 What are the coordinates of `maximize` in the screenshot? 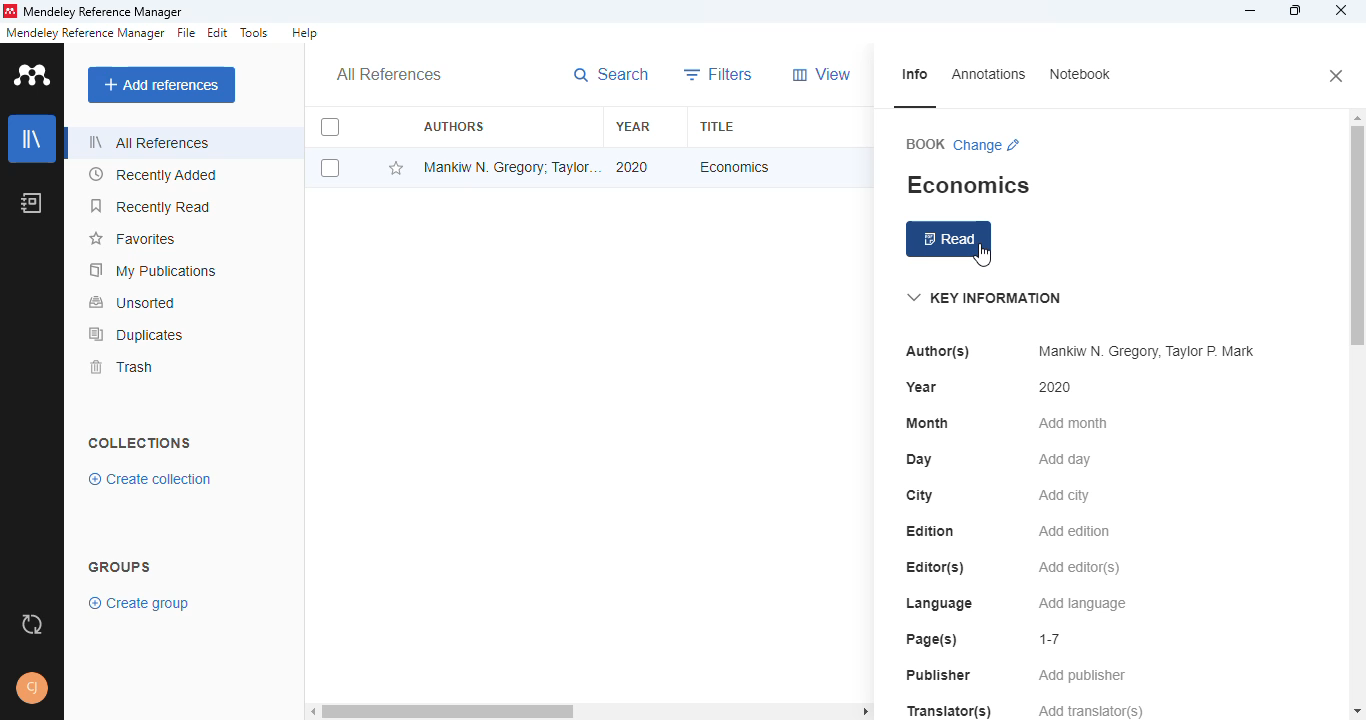 It's located at (1295, 11).